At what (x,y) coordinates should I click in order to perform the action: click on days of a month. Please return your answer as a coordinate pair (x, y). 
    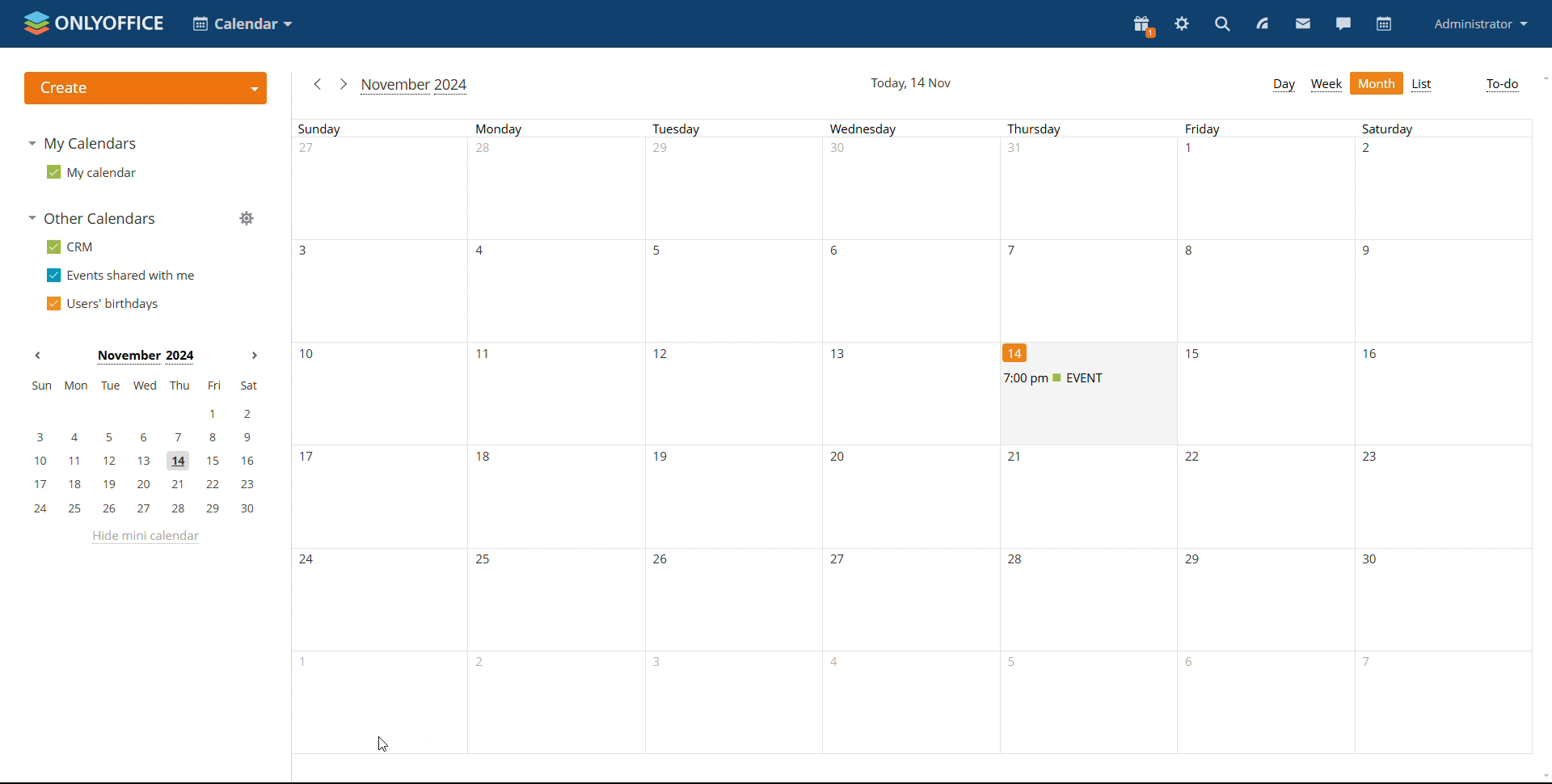
    Looking at the image, I should click on (453, 446).